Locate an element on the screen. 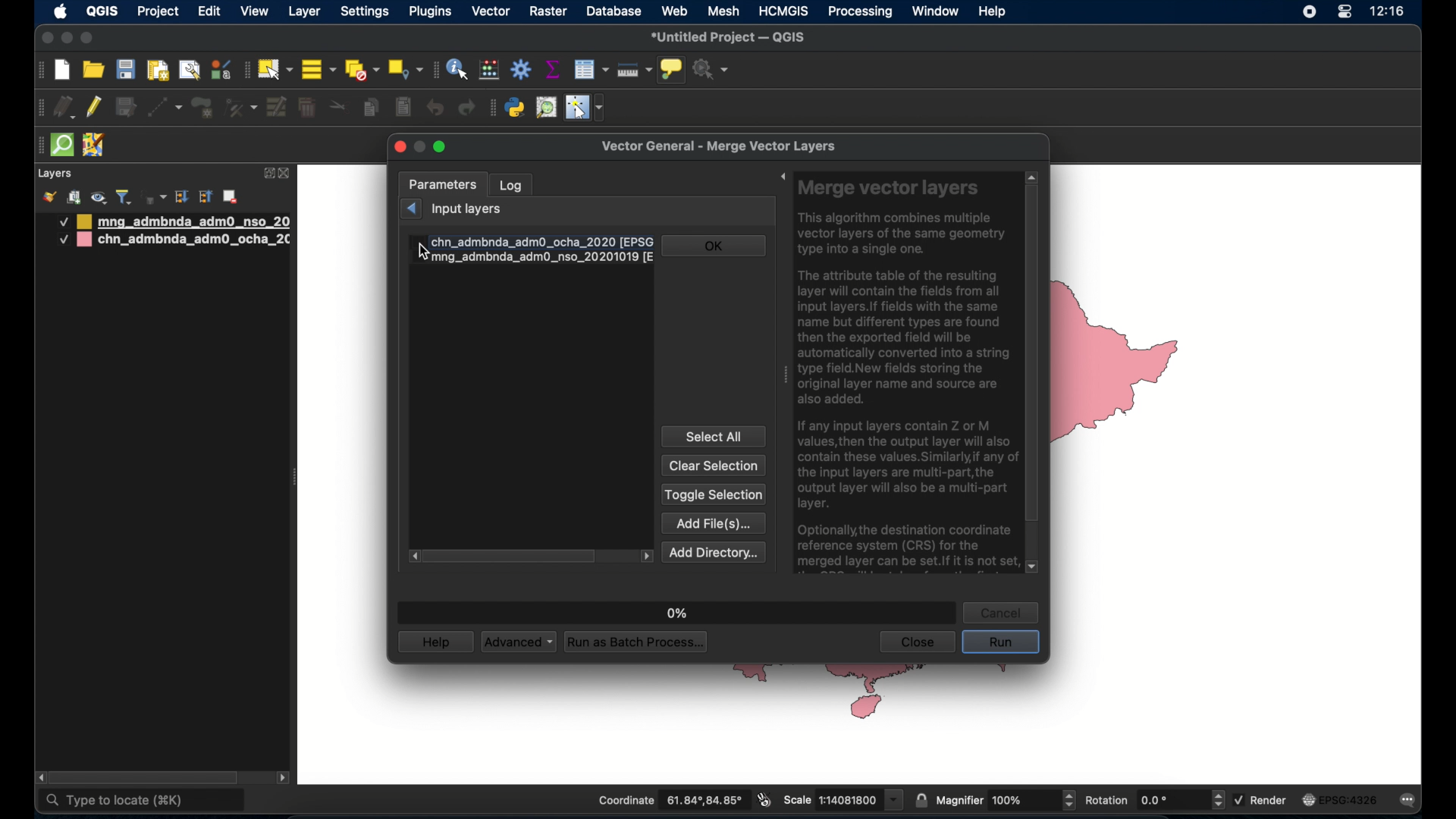  messages is located at coordinates (1410, 802).